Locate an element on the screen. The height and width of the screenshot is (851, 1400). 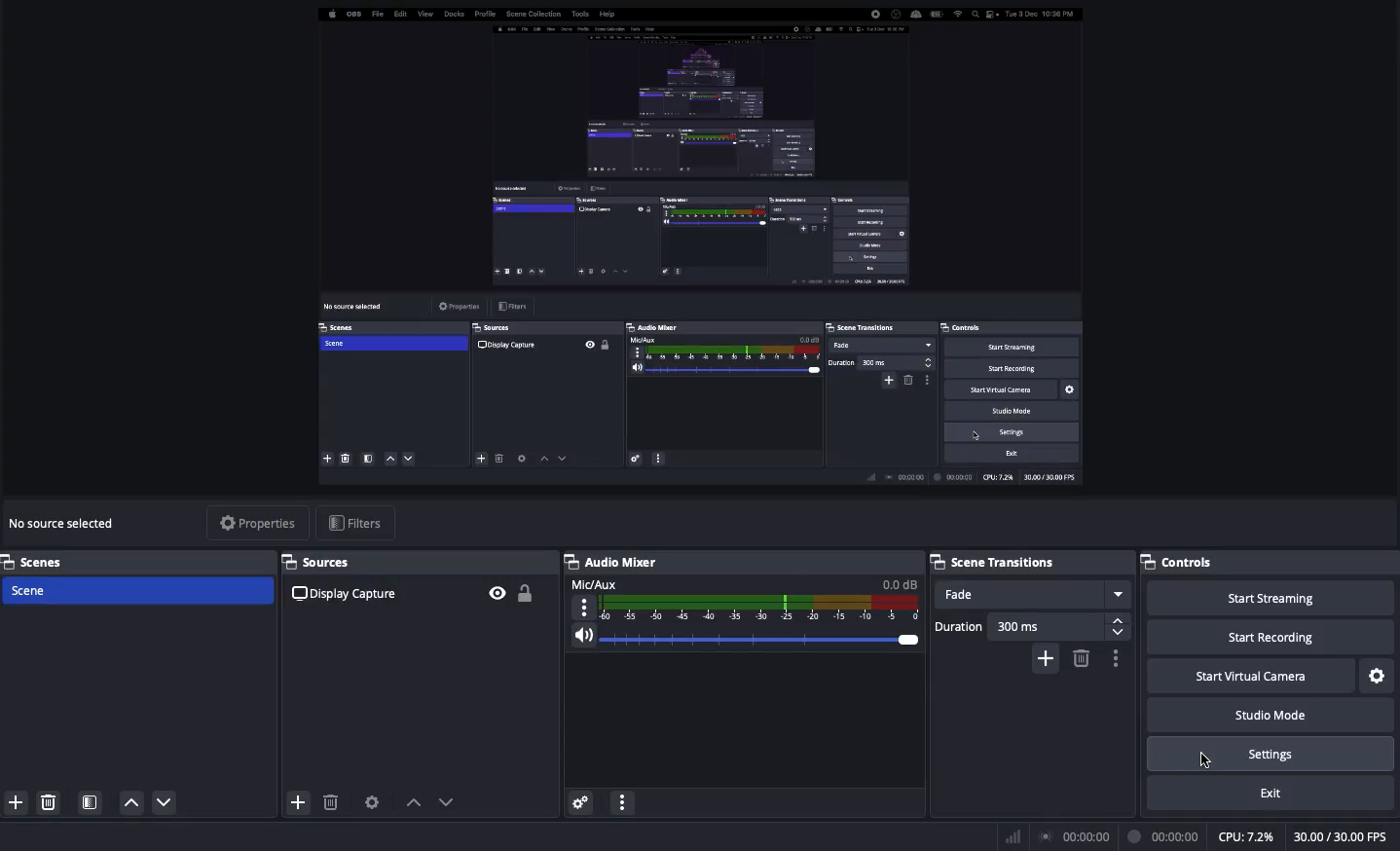
Start streaming is located at coordinates (1273, 600).